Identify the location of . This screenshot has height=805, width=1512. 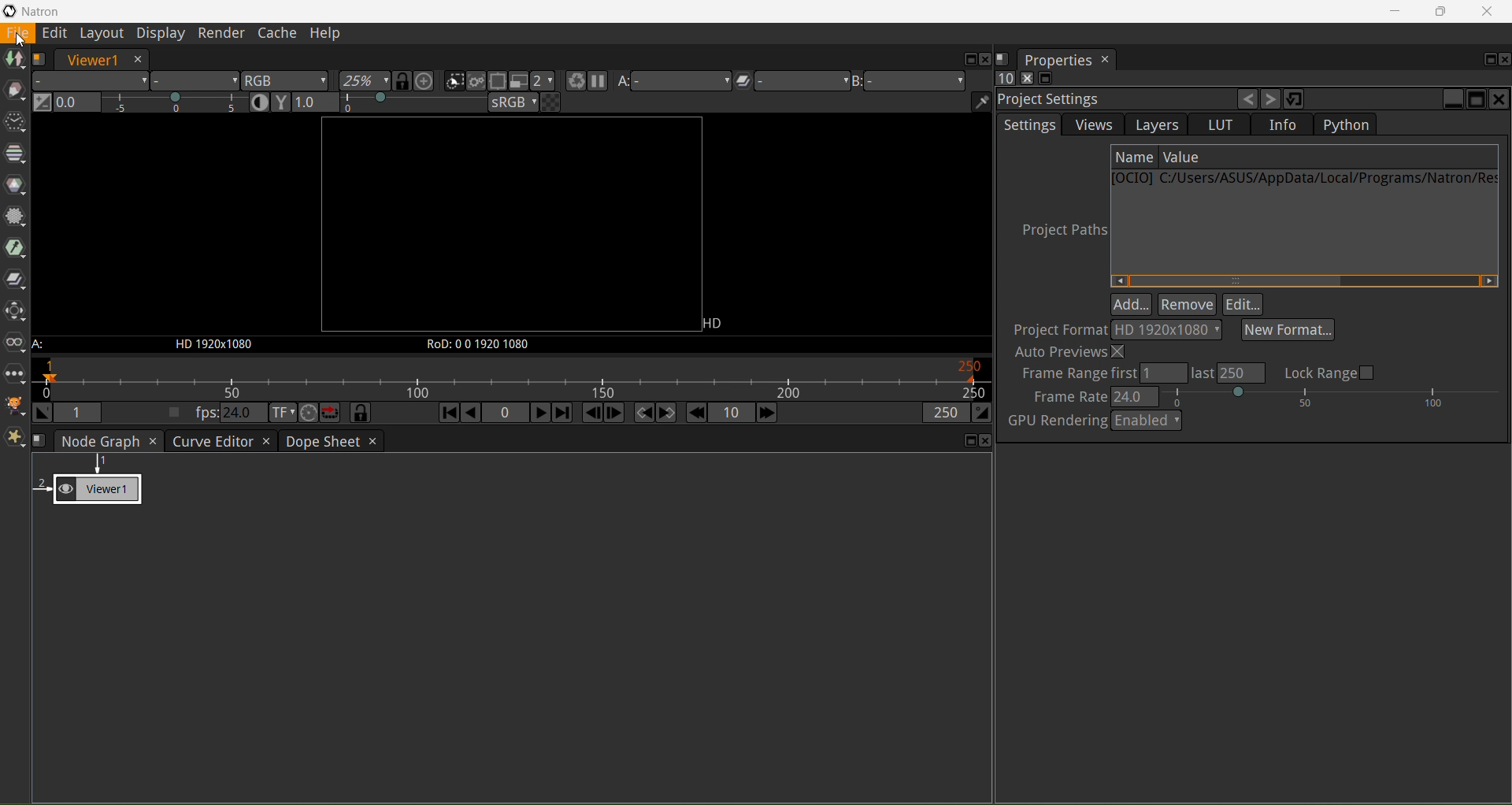
(1131, 305).